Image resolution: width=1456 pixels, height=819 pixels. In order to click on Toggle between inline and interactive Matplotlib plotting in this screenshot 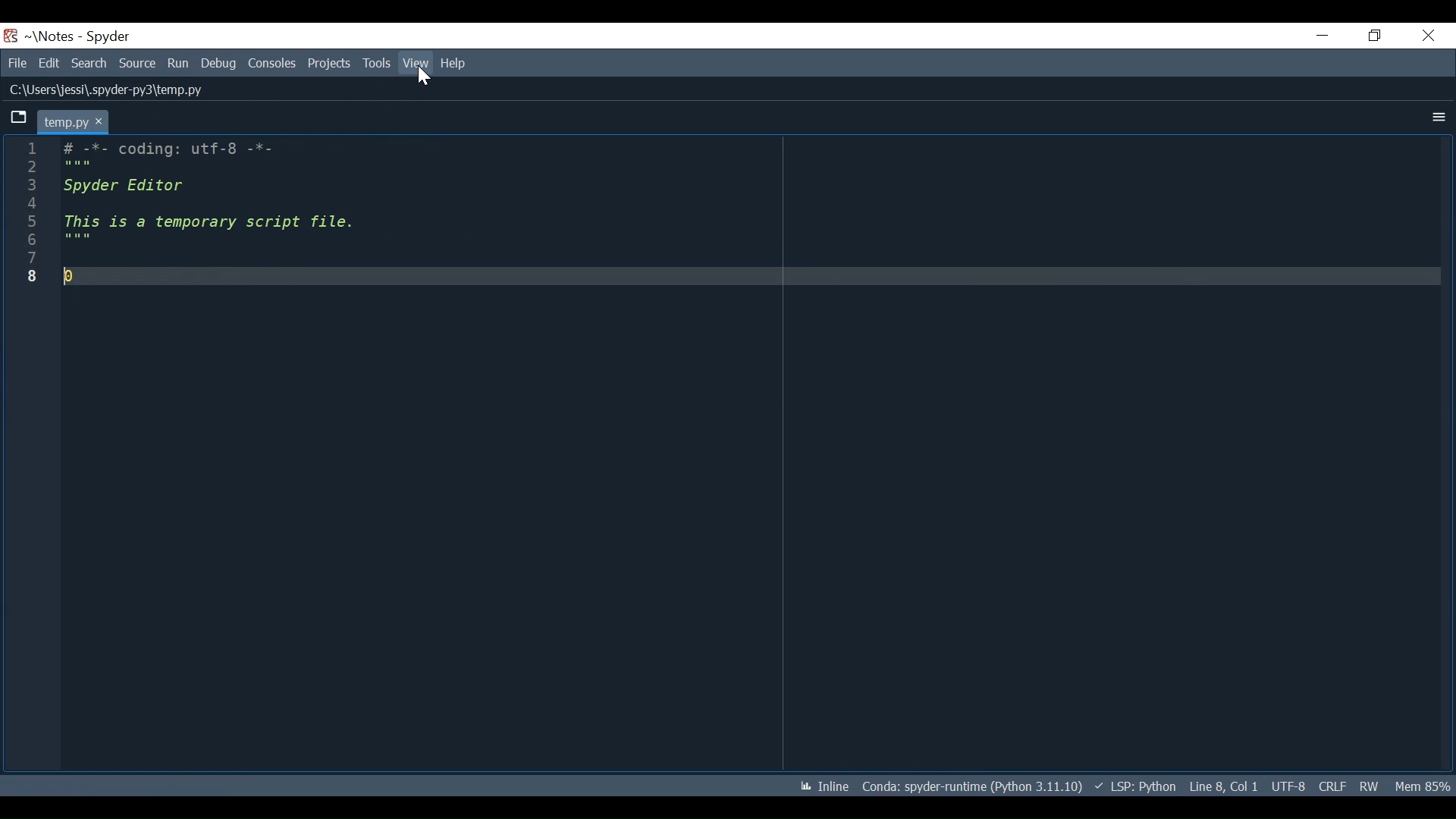, I will do `click(826, 786)`.